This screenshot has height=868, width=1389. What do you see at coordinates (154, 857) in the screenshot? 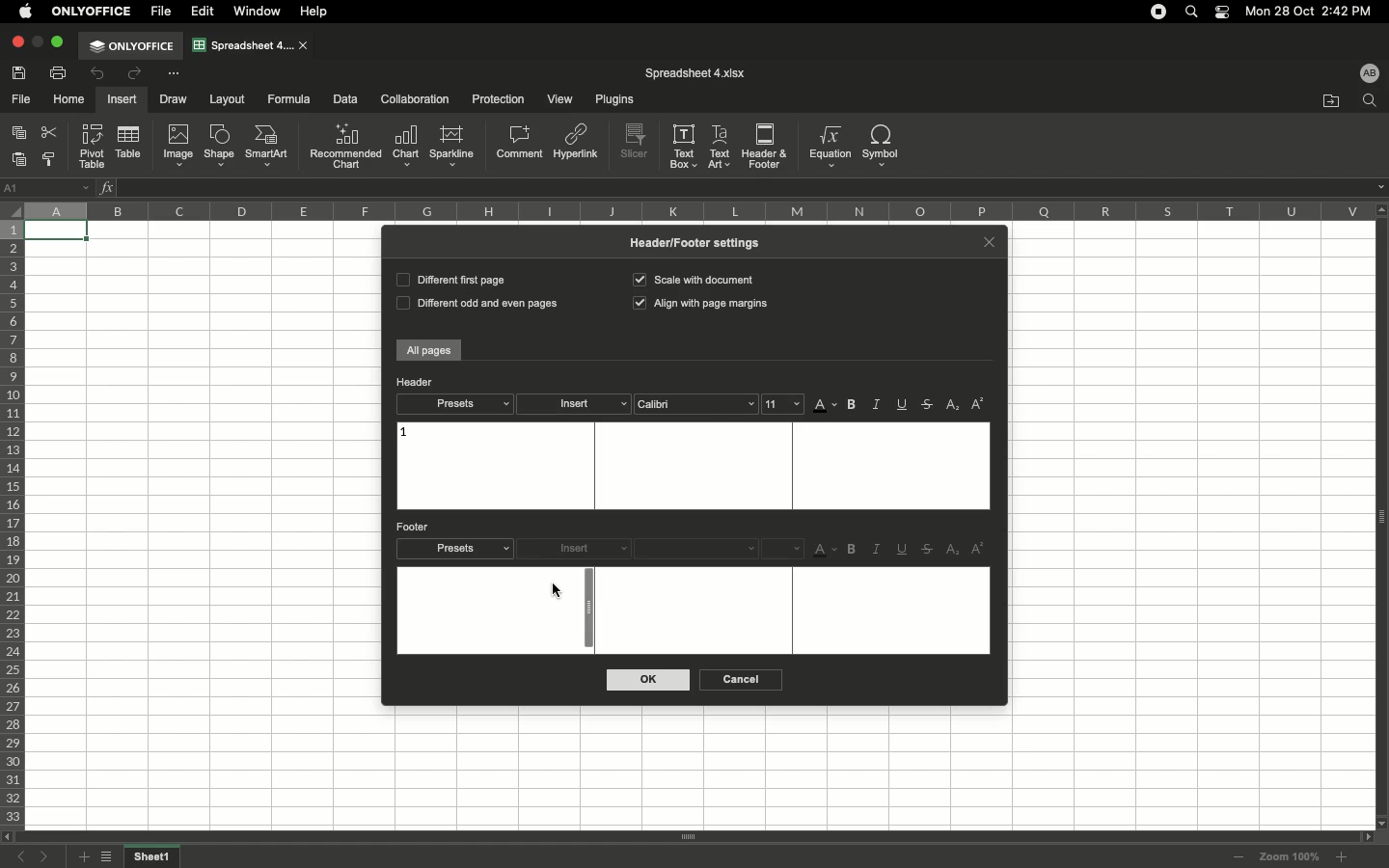
I see `Sheet name` at bounding box center [154, 857].